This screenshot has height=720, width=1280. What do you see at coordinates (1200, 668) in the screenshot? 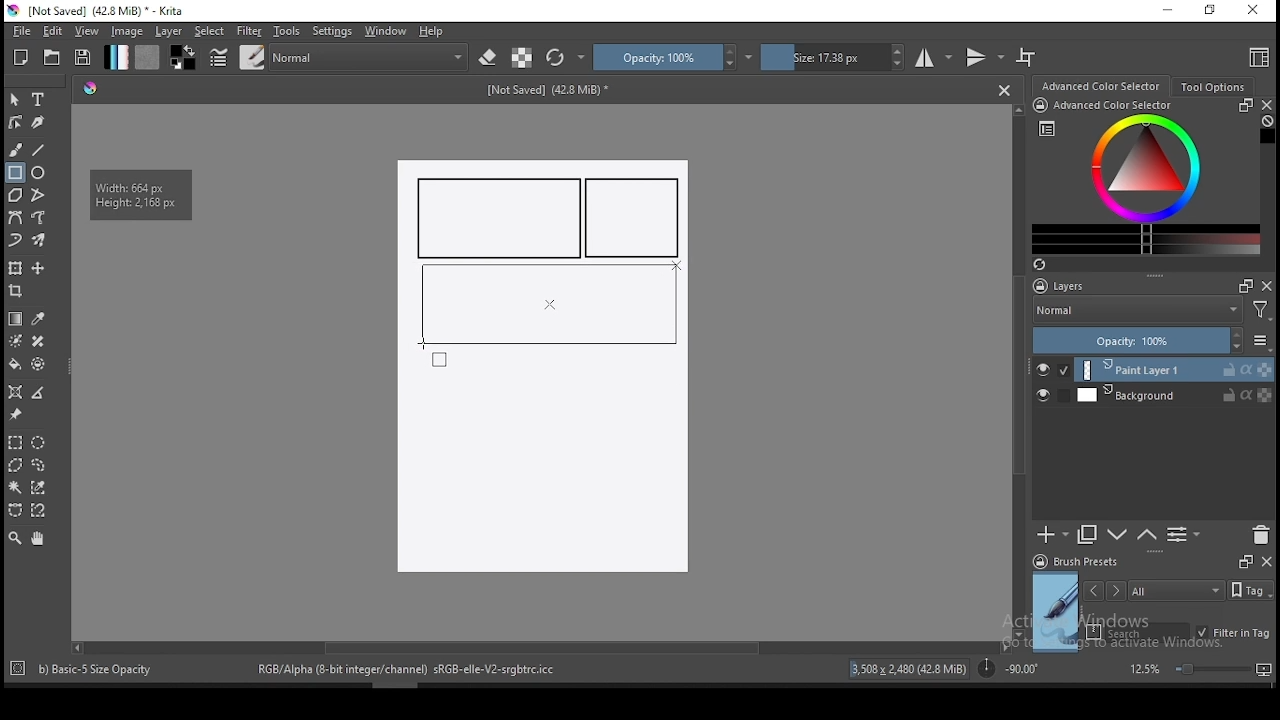
I see `zoom level` at bounding box center [1200, 668].